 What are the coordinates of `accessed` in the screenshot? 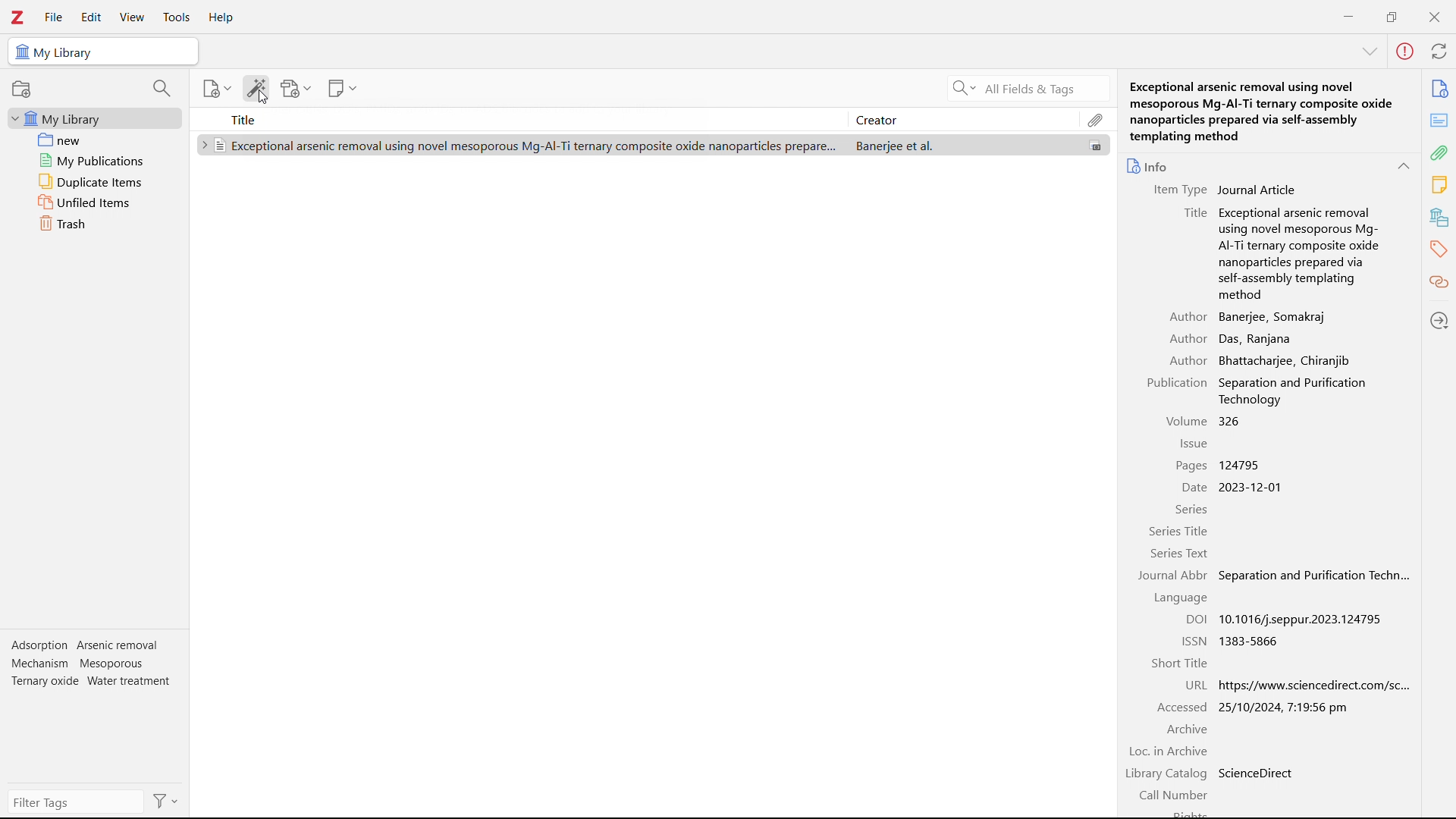 It's located at (1182, 707).